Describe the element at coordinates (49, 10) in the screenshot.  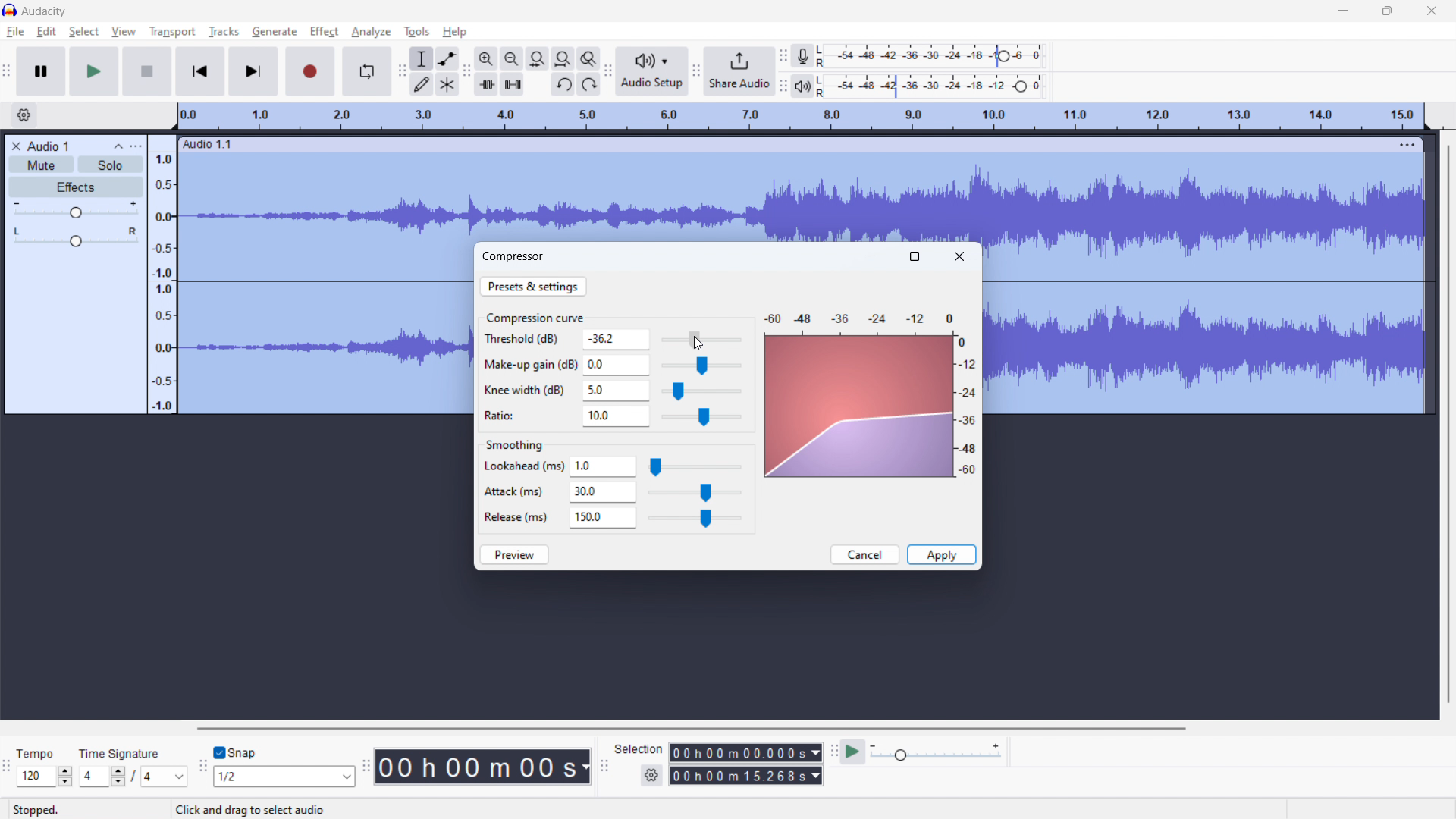
I see `Audacity (title)` at that location.